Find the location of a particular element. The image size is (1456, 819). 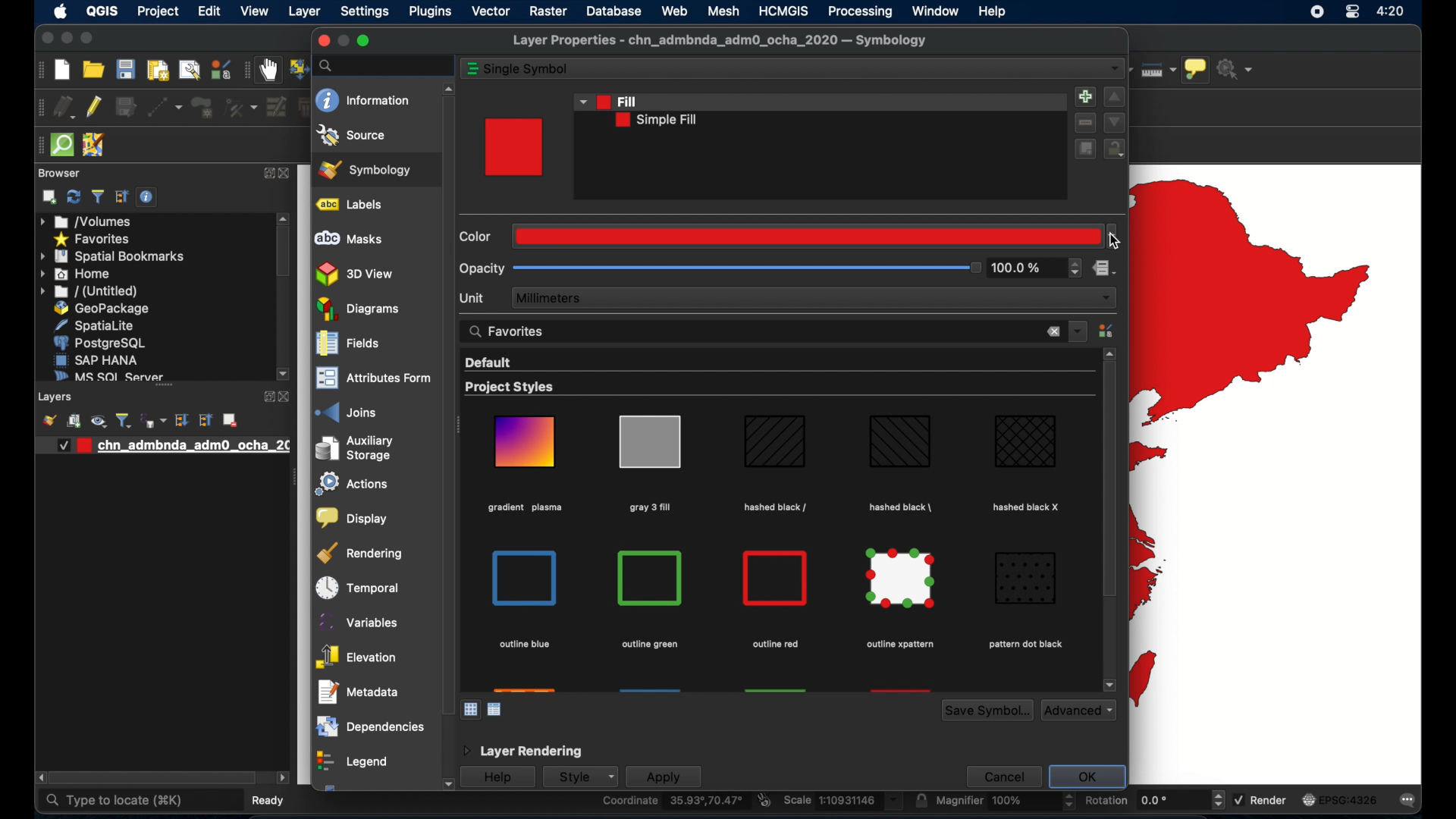

date defined override is located at coordinates (1105, 270).